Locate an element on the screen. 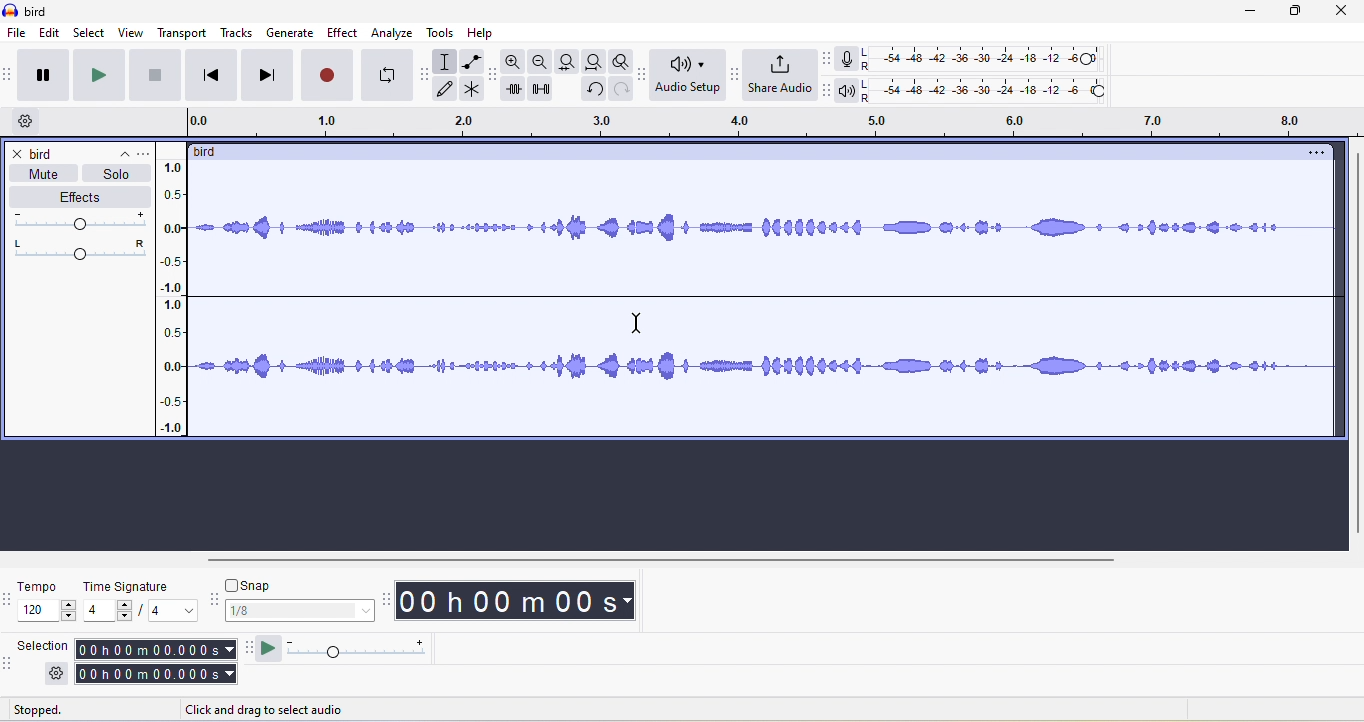 The width and height of the screenshot is (1364, 722). undo is located at coordinates (592, 93).